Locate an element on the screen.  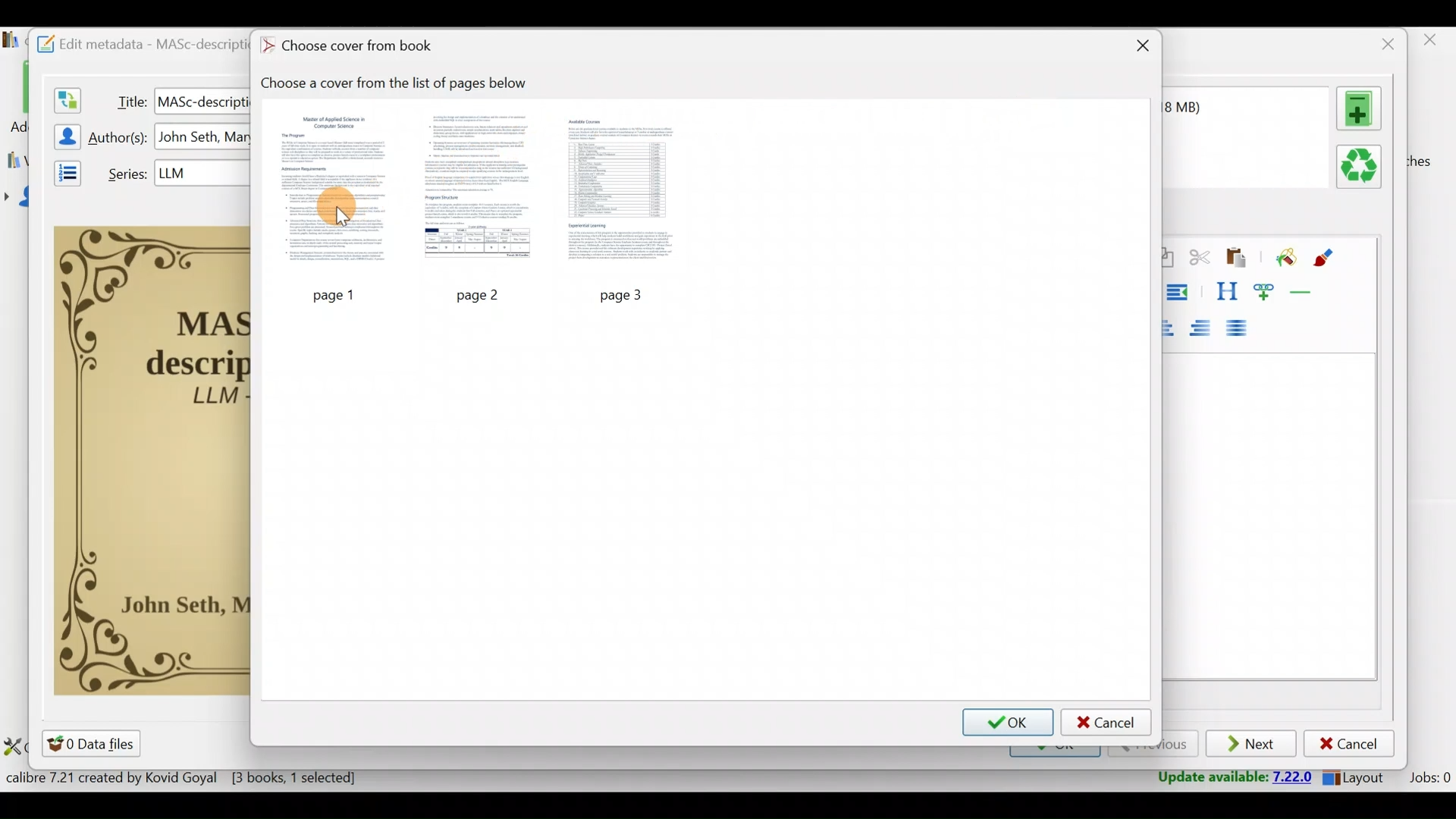
OK is located at coordinates (1007, 723).